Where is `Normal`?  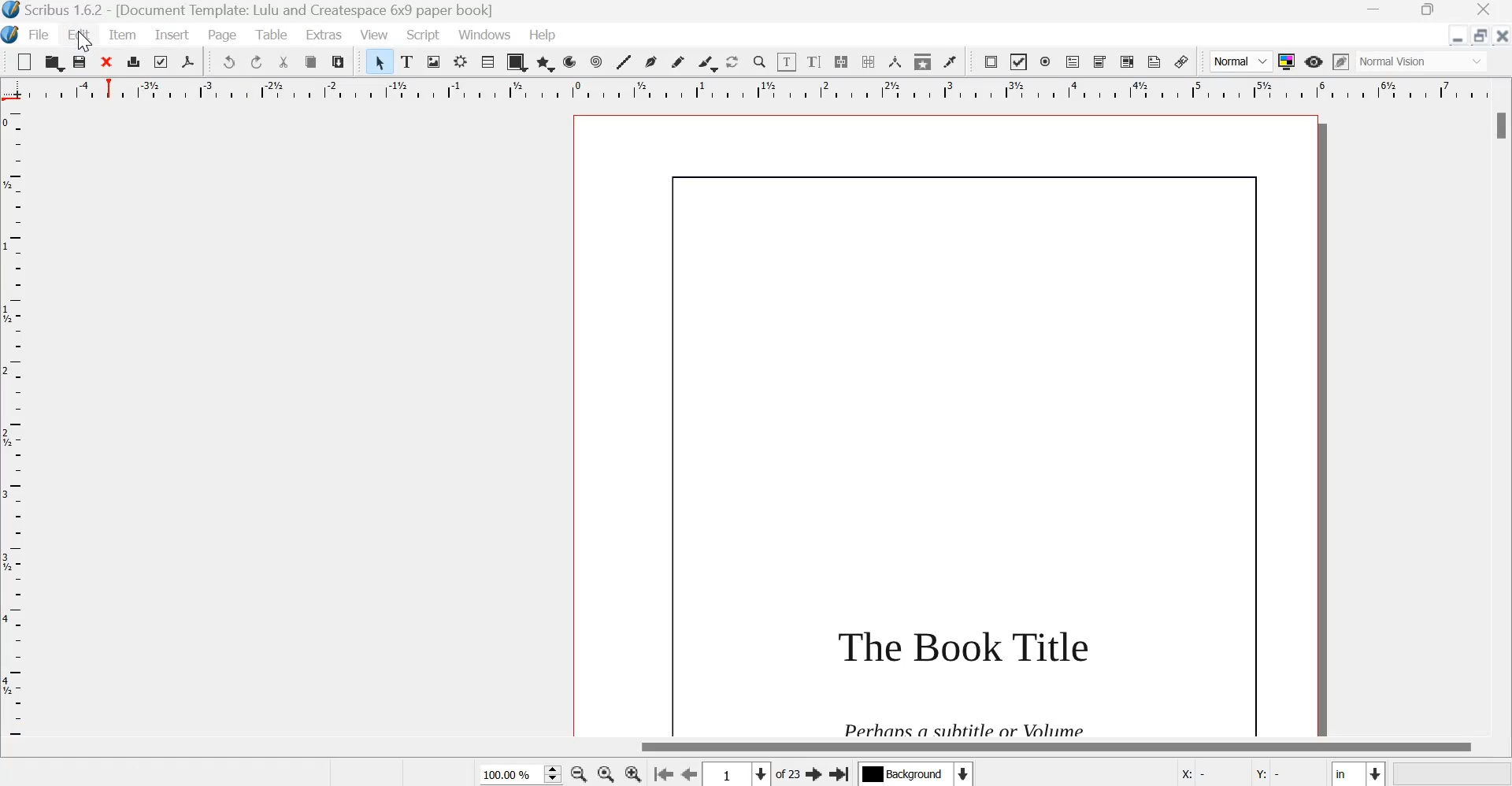 Normal is located at coordinates (1242, 62).